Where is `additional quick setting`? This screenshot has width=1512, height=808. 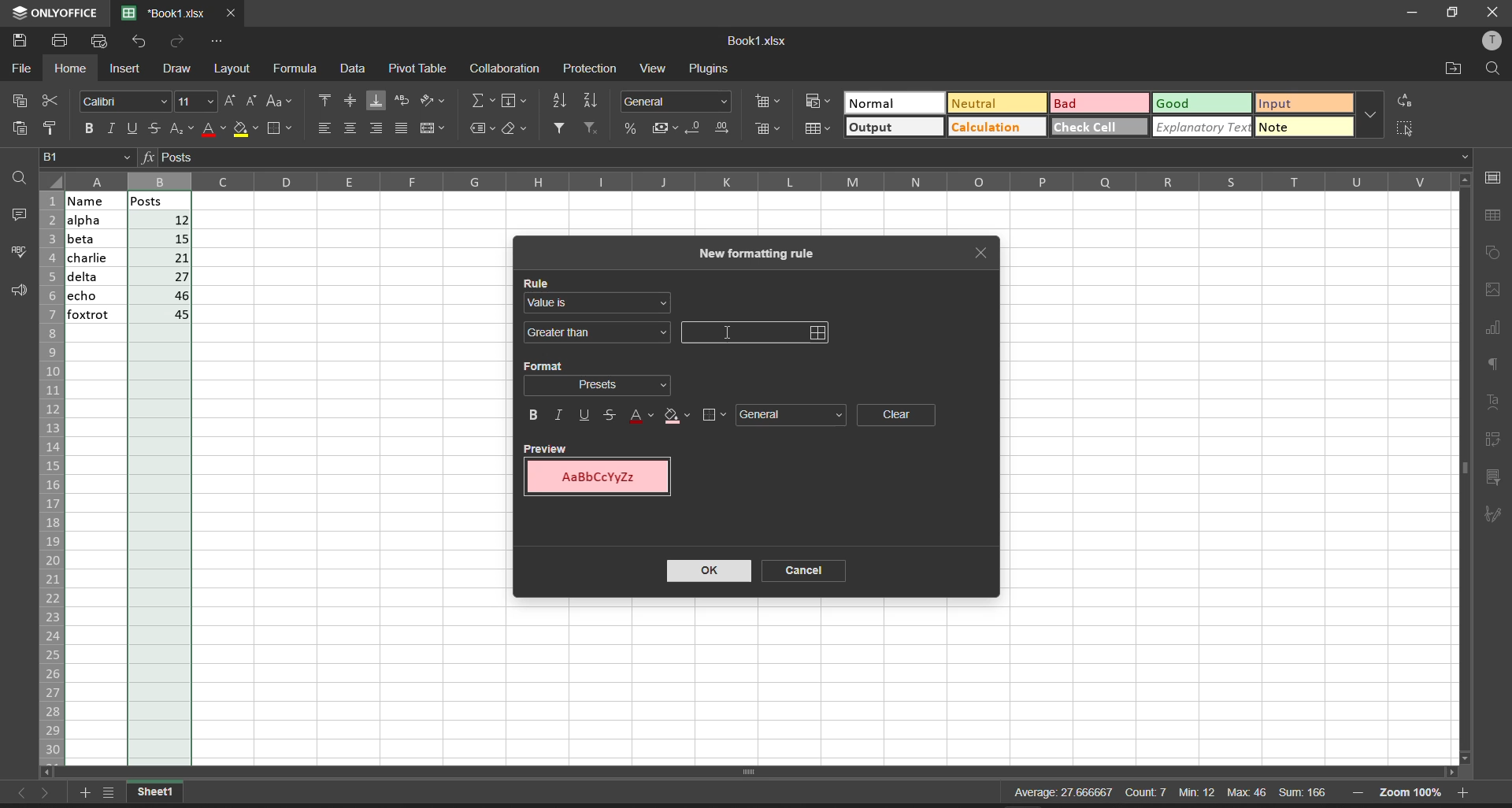 additional quick setting is located at coordinates (1369, 109).